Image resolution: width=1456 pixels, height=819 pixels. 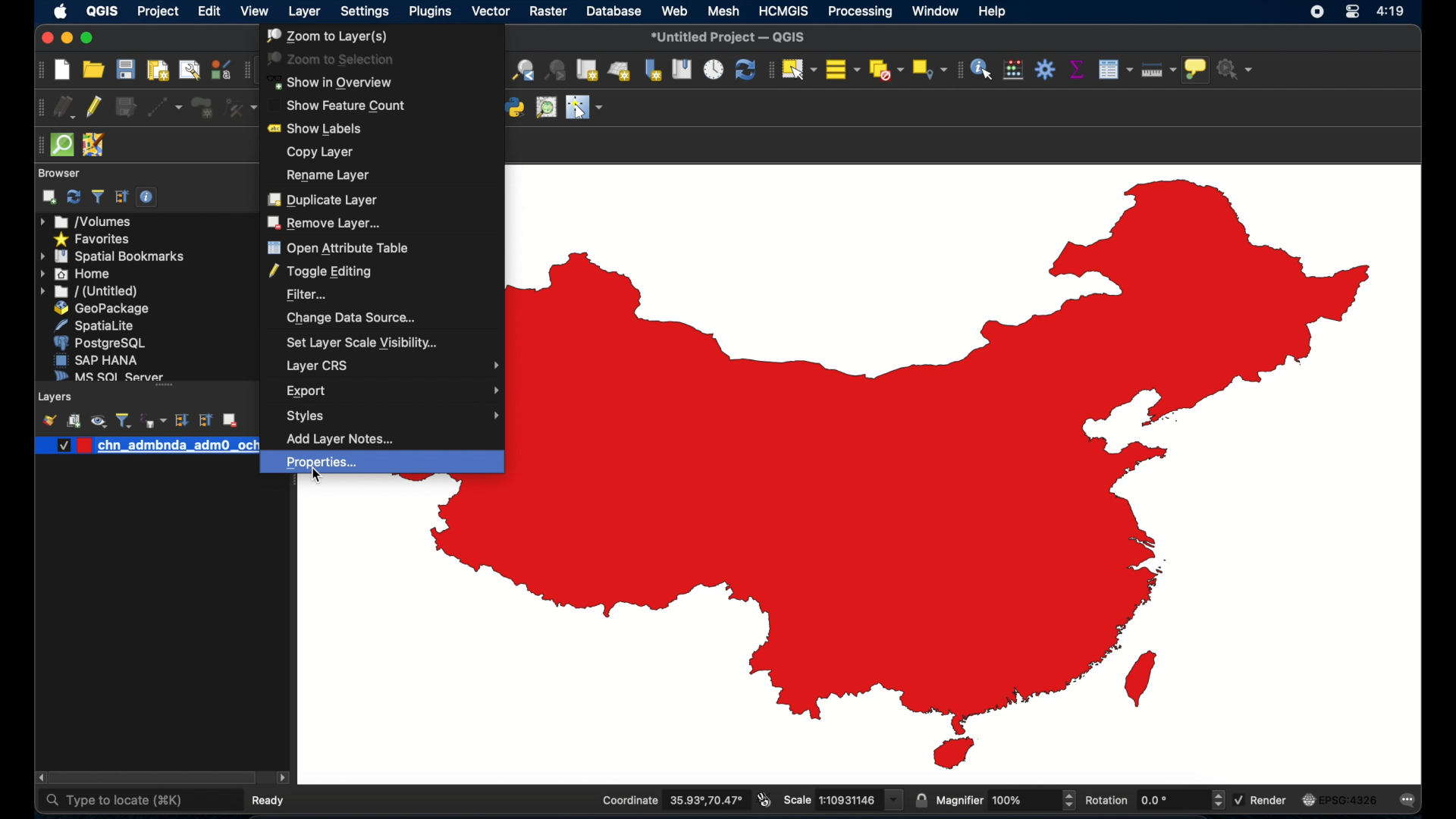 What do you see at coordinates (430, 14) in the screenshot?
I see `plugins` at bounding box center [430, 14].